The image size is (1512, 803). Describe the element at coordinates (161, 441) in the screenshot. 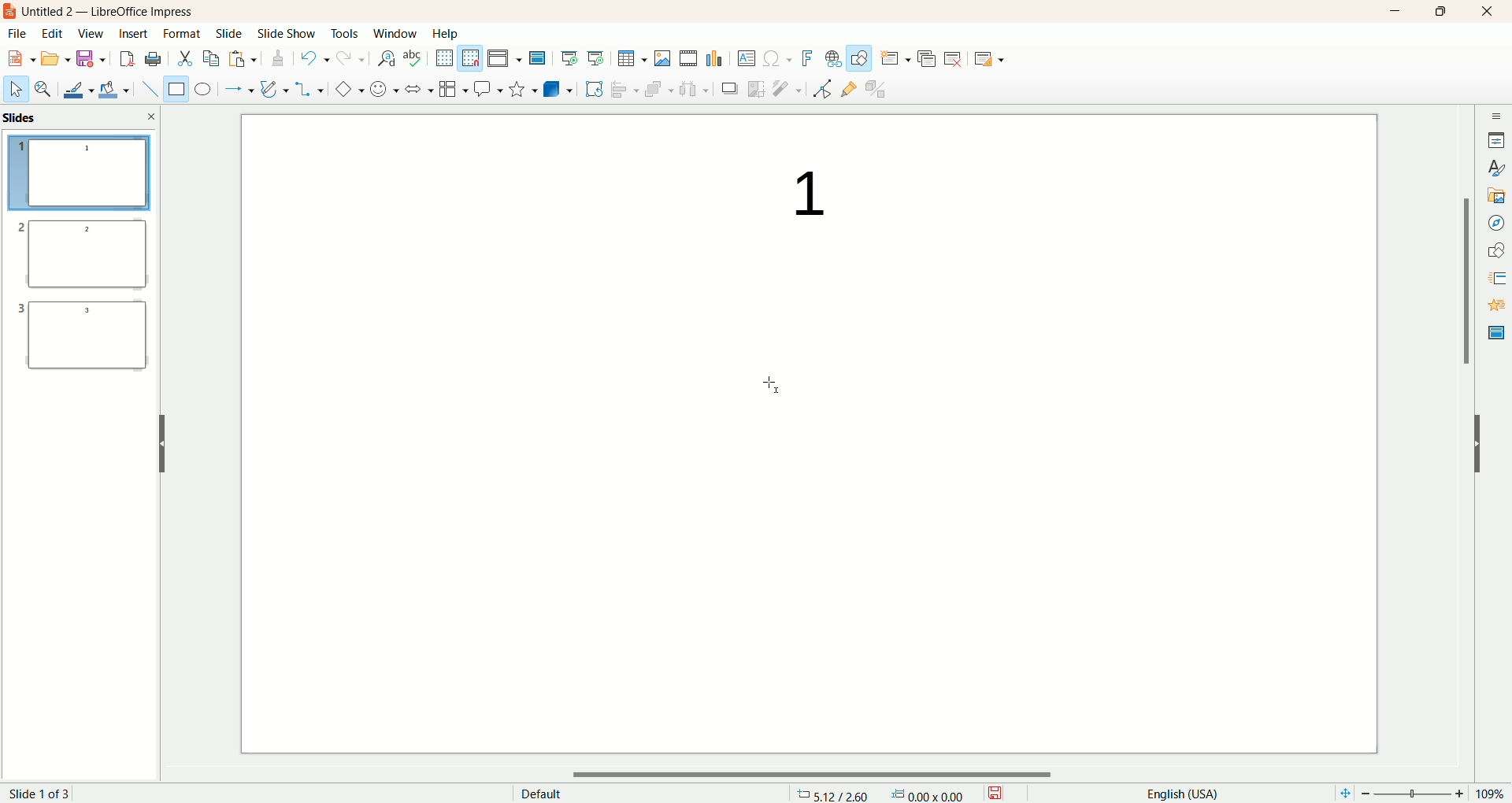

I see `hide` at that location.